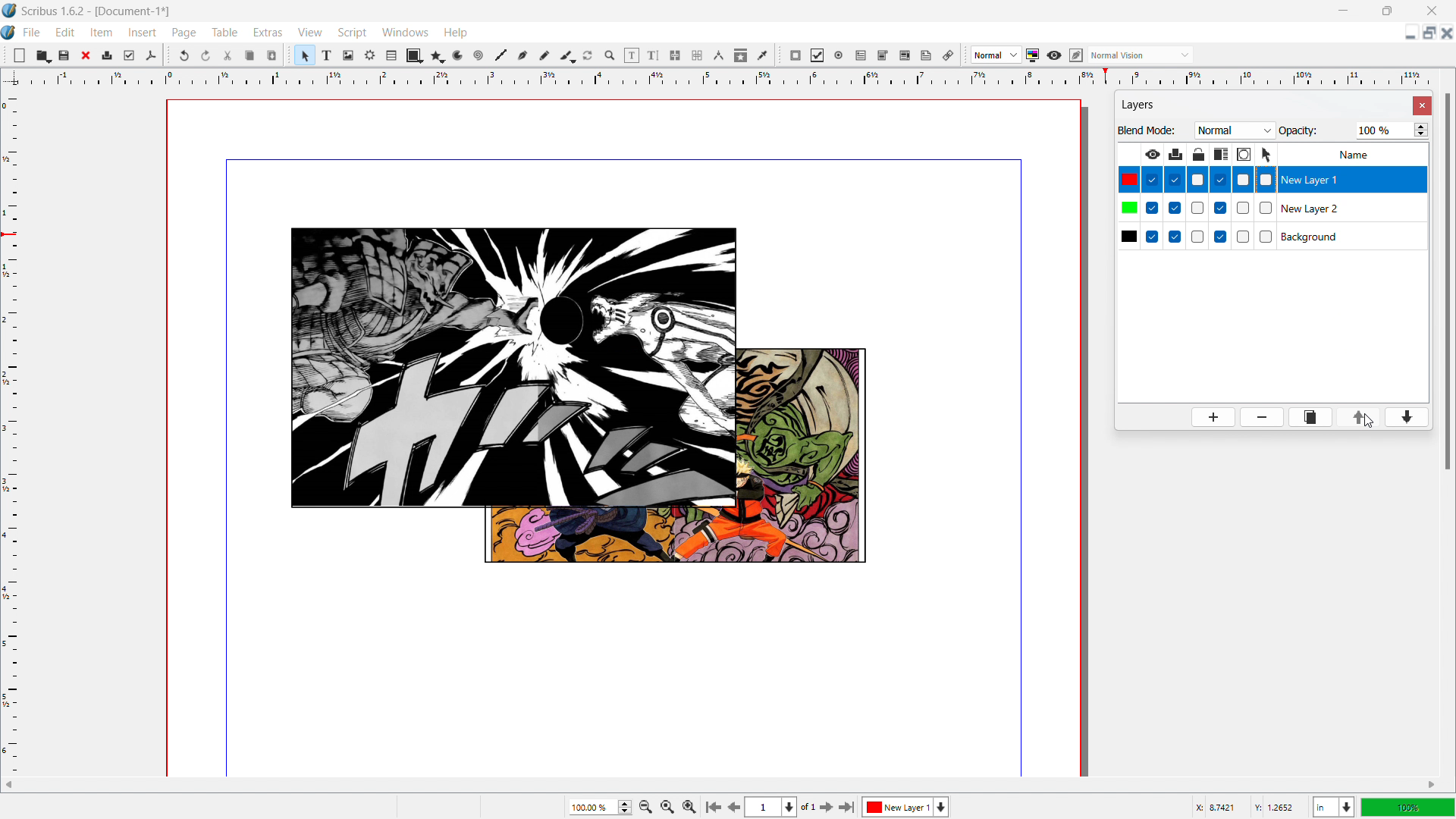 Image resolution: width=1456 pixels, height=819 pixels. What do you see at coordinates (143, 32) in the screenshot?
I see `insert` at bounding box center [143, 32].